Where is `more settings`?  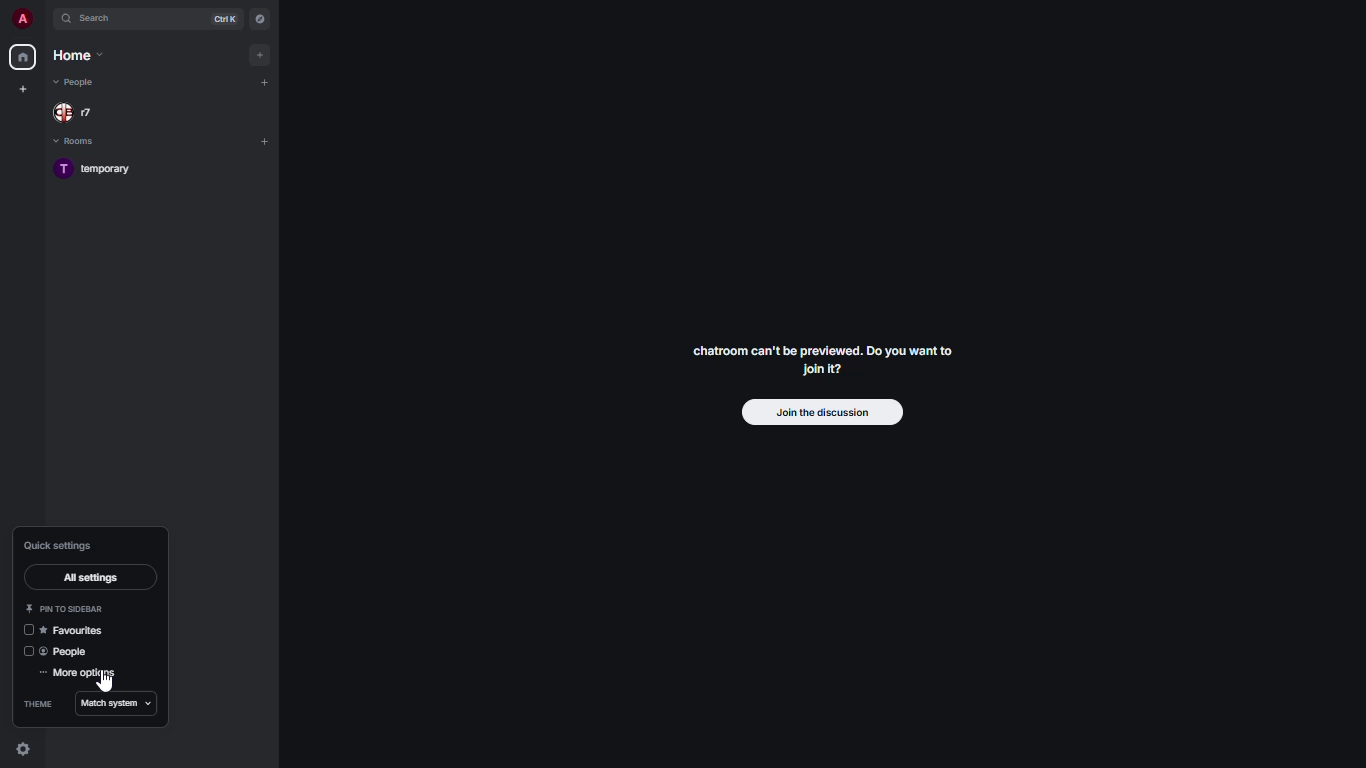 more settings is located at coordinates (79, 674).